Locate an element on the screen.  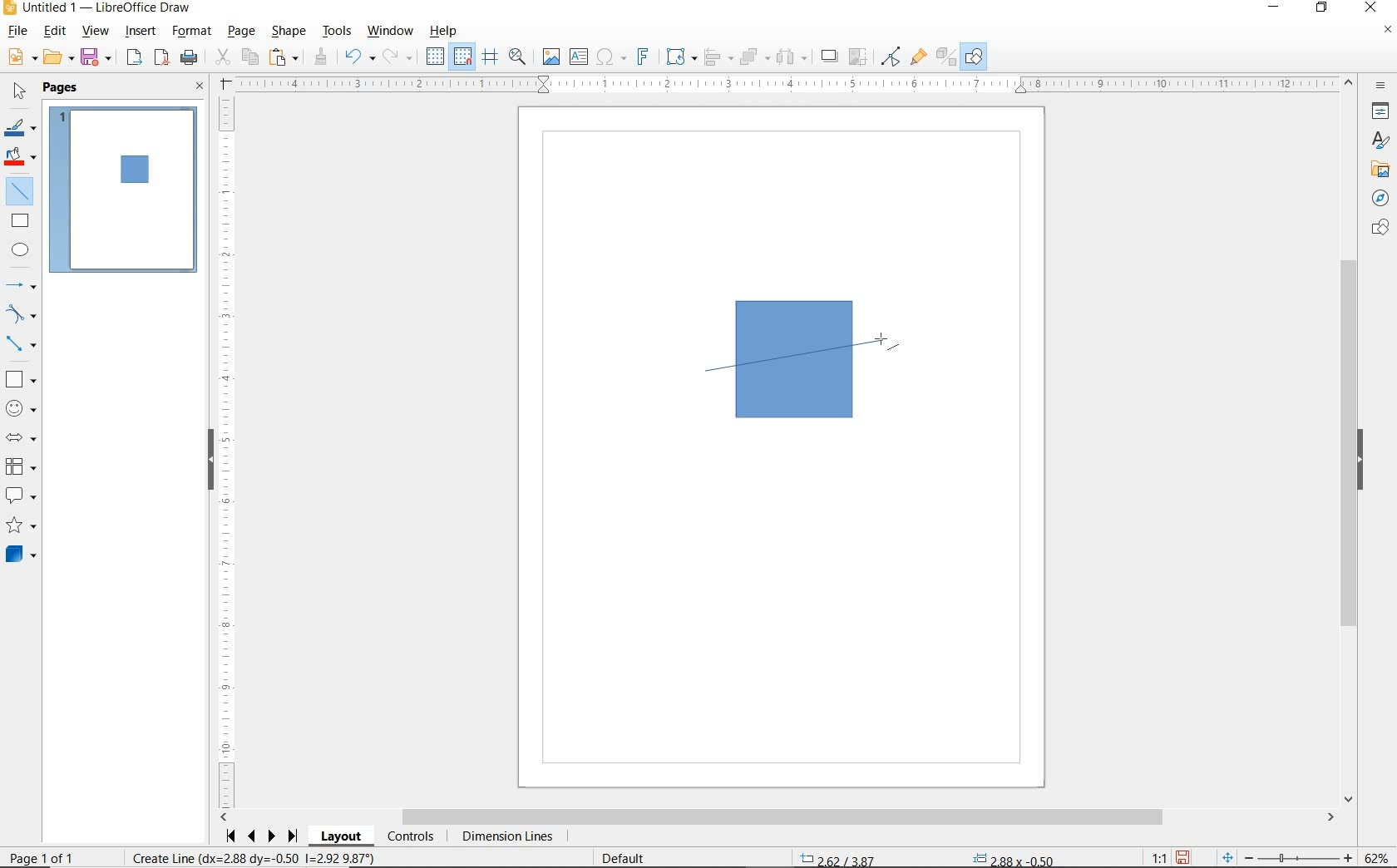
SAVE is located at coordinates (97, 58).